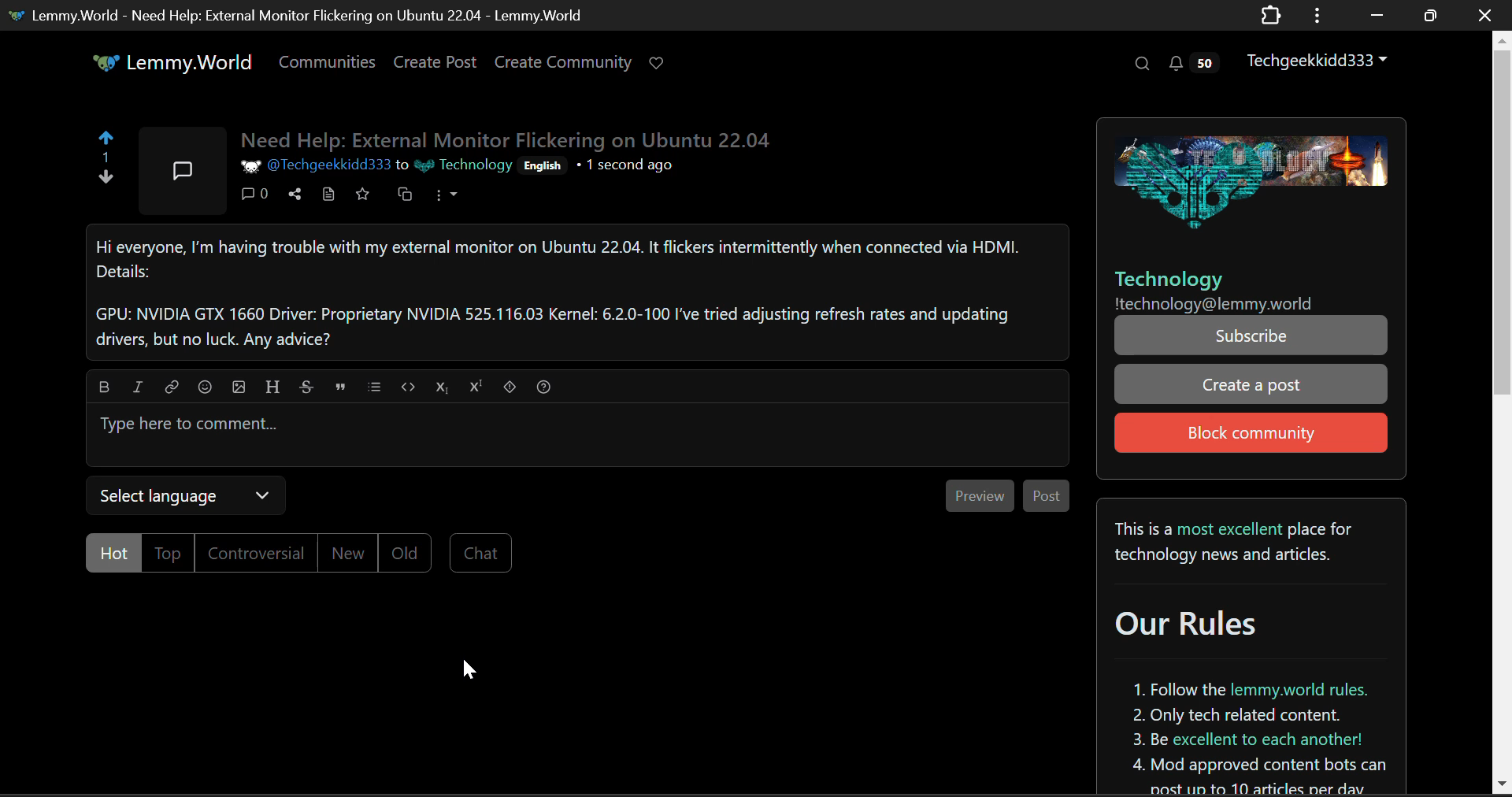 Image resolution: width=1512 pixels, height=797 pixels. Describe the element at coordinates (313, 166) in the screenshot. I see `@Techgeekkidd333` at that location.